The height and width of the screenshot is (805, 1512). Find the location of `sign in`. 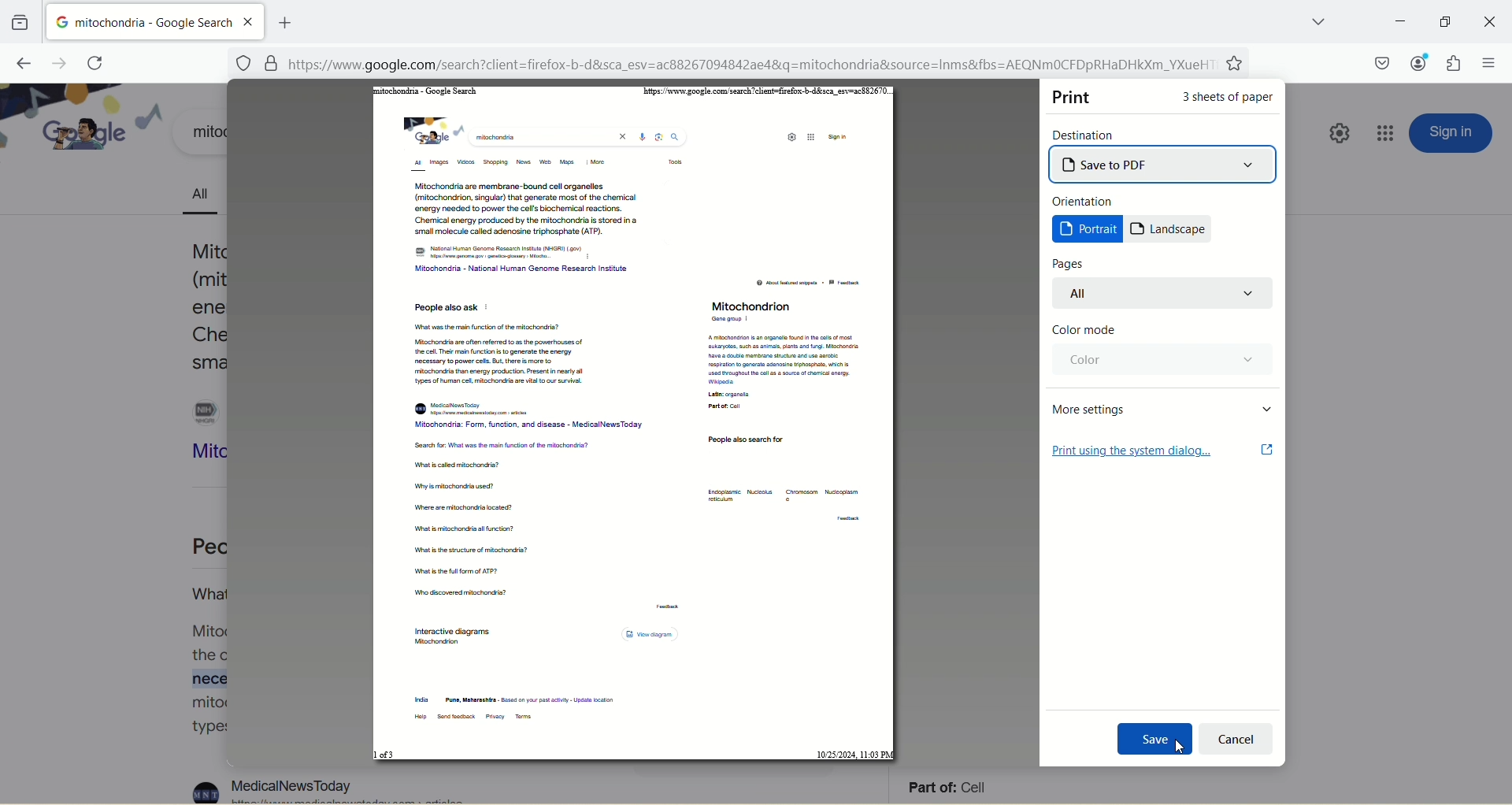

sign in is located at coordinates (1452, 133).